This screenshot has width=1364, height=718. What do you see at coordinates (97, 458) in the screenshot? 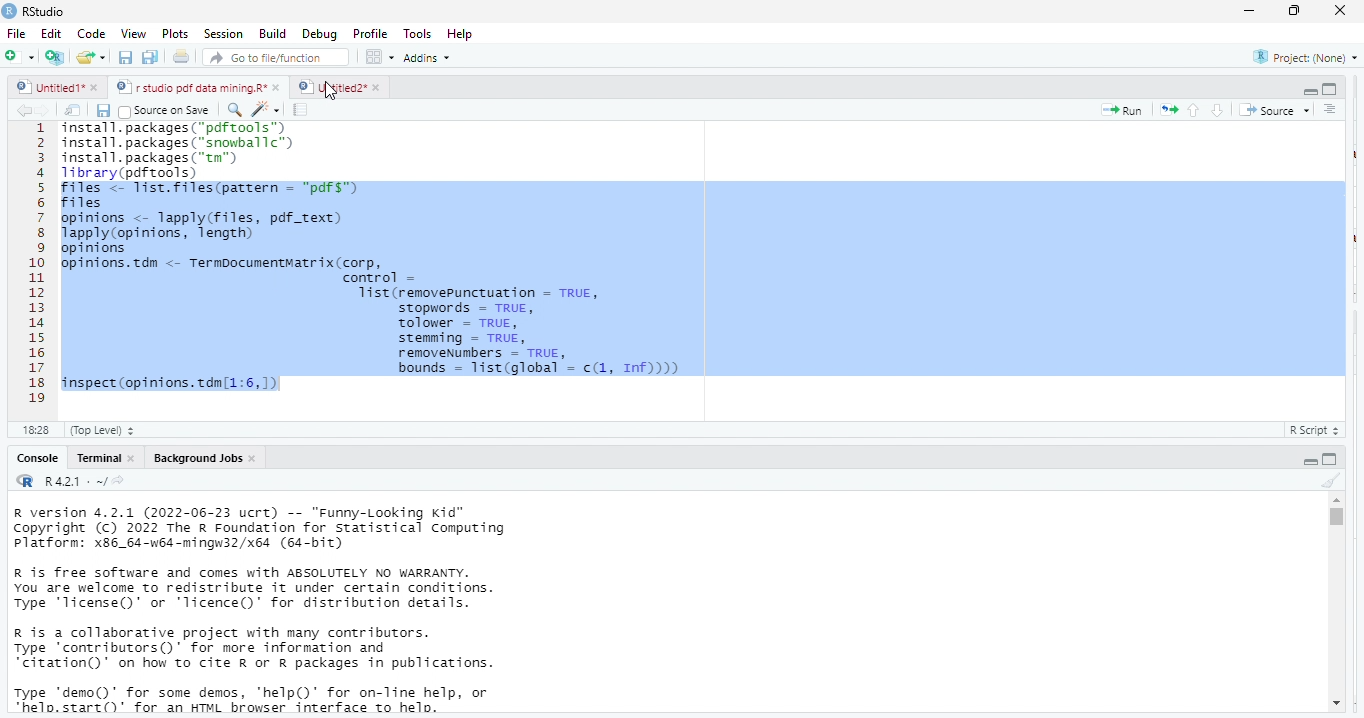
I see `terminal` at bounding box center [97, 458].